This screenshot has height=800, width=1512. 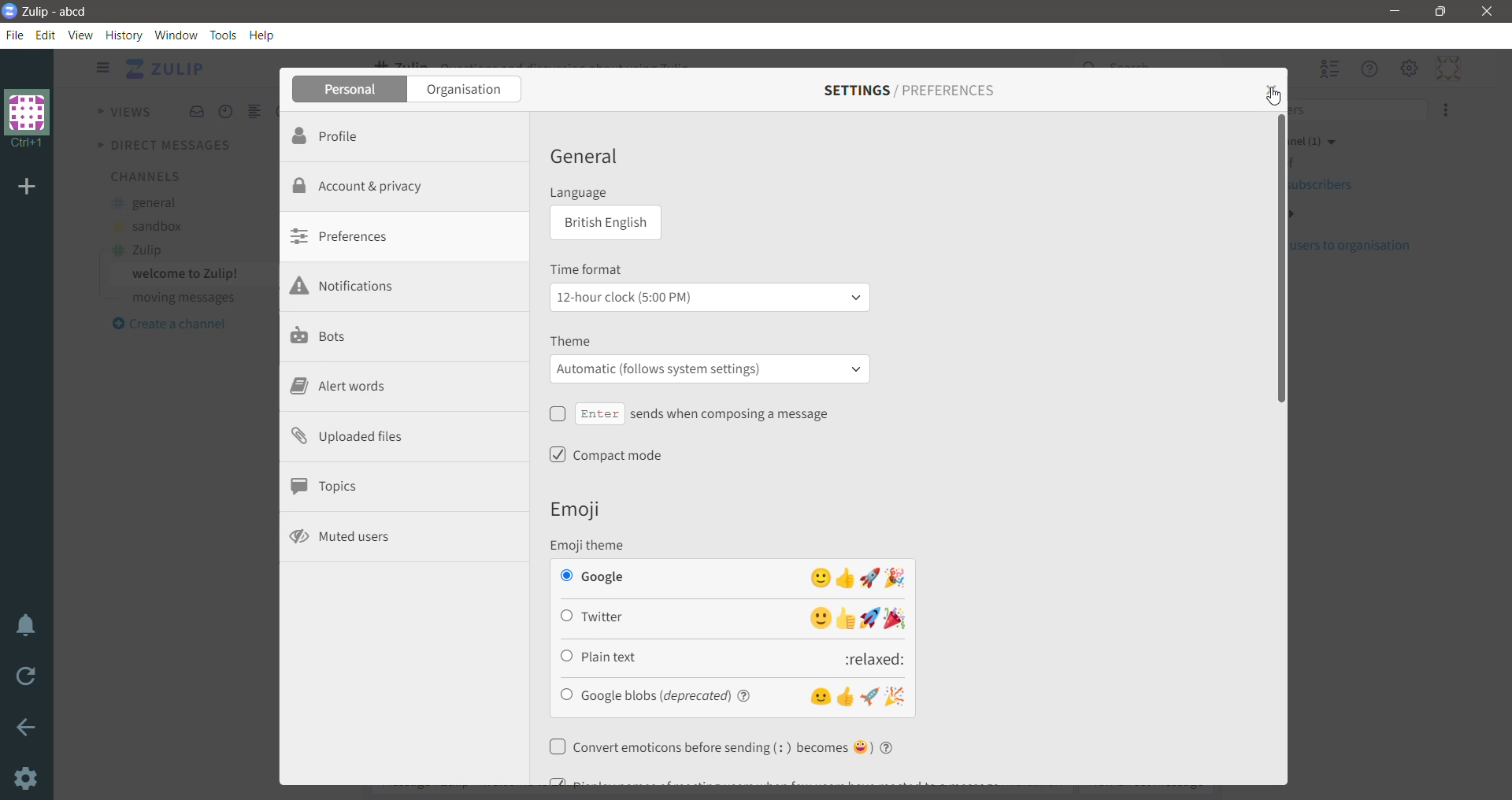 What do you see at coordinates (470, 91) in the screenshot?
I see `Organization` at bounding box center [470, 91].